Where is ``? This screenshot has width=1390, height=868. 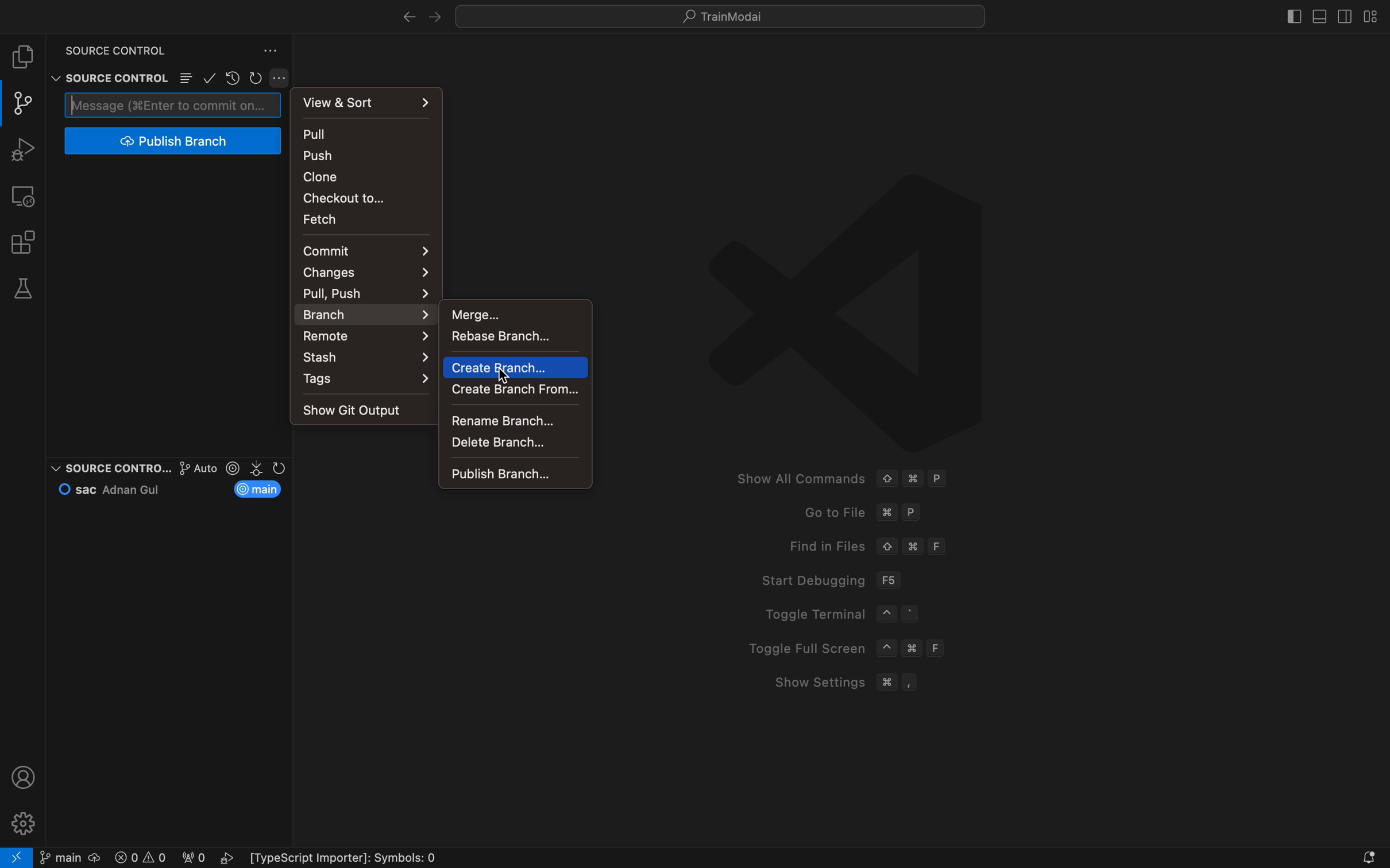
 is located at coordinates (514, 474).